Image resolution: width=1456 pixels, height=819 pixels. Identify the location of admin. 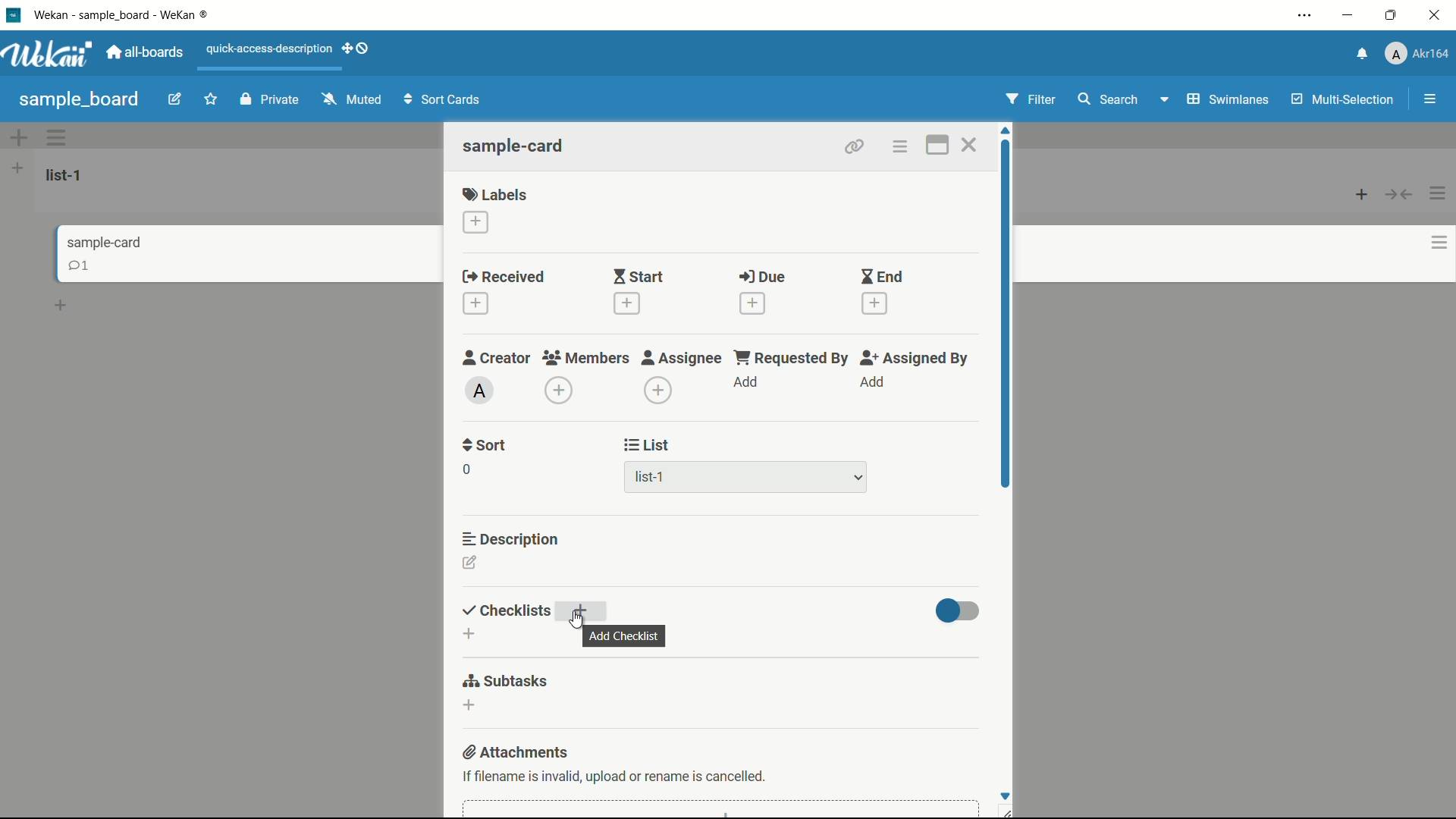
(479, 391).